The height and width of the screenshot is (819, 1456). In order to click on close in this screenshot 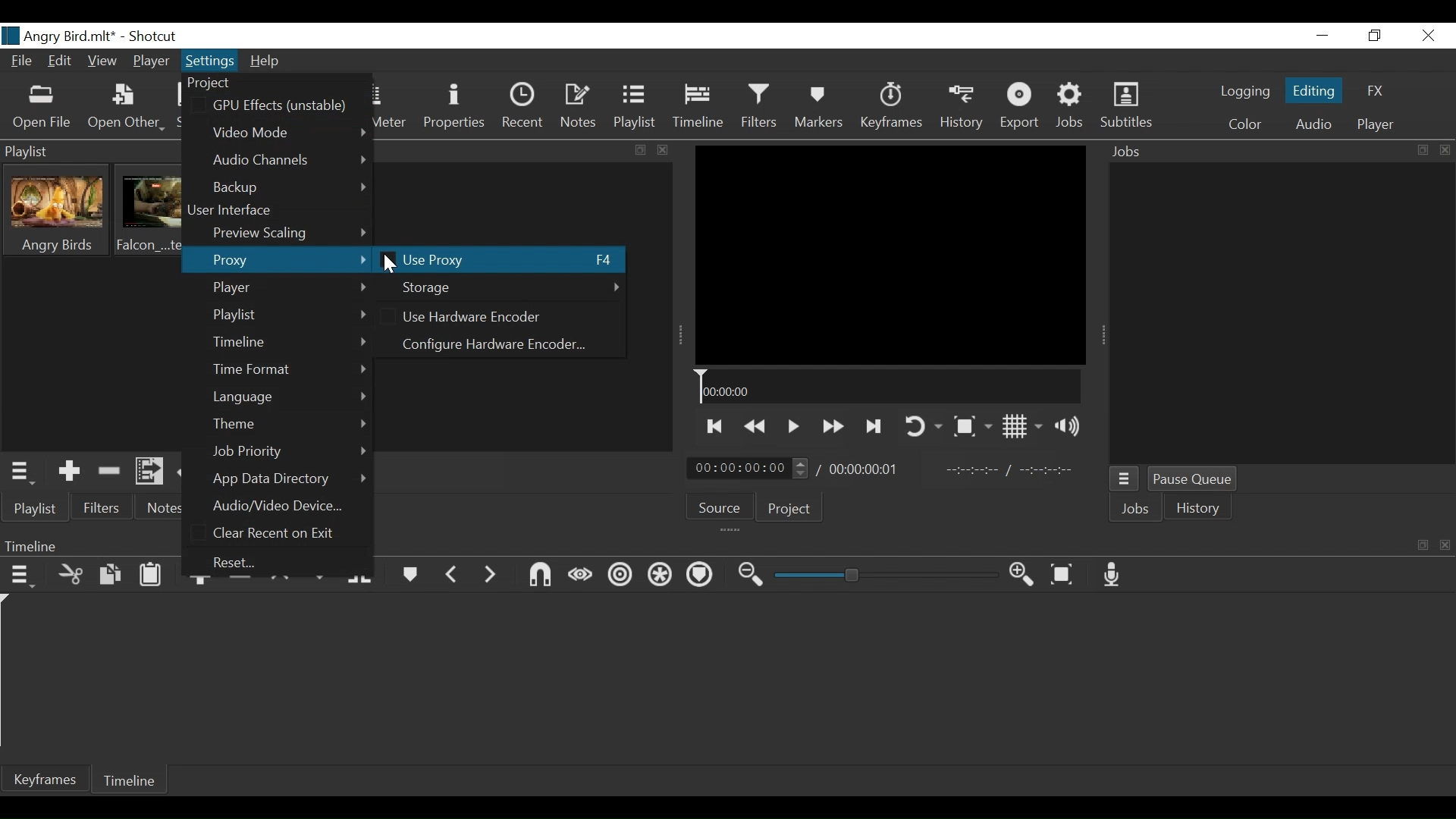, I will do `click(1447, 541)`.